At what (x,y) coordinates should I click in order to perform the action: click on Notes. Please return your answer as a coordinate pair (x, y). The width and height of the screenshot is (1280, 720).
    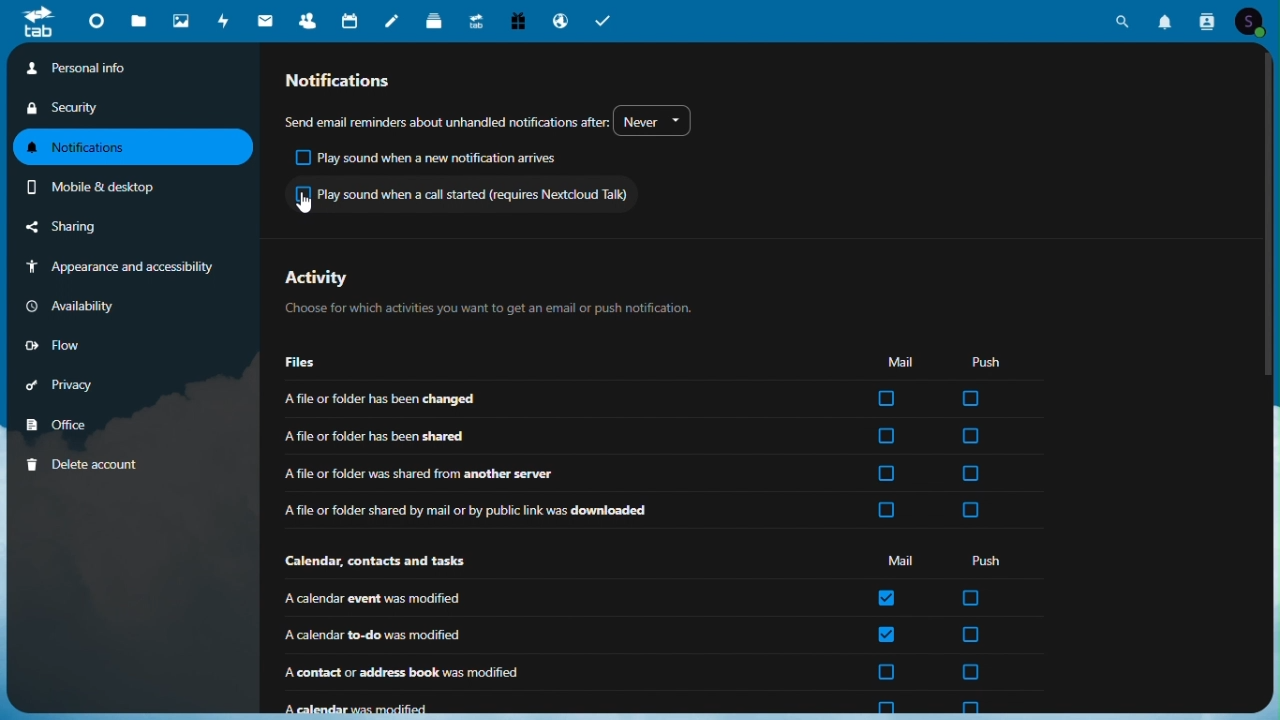
    Looking at the image, I should click on (393, 18).